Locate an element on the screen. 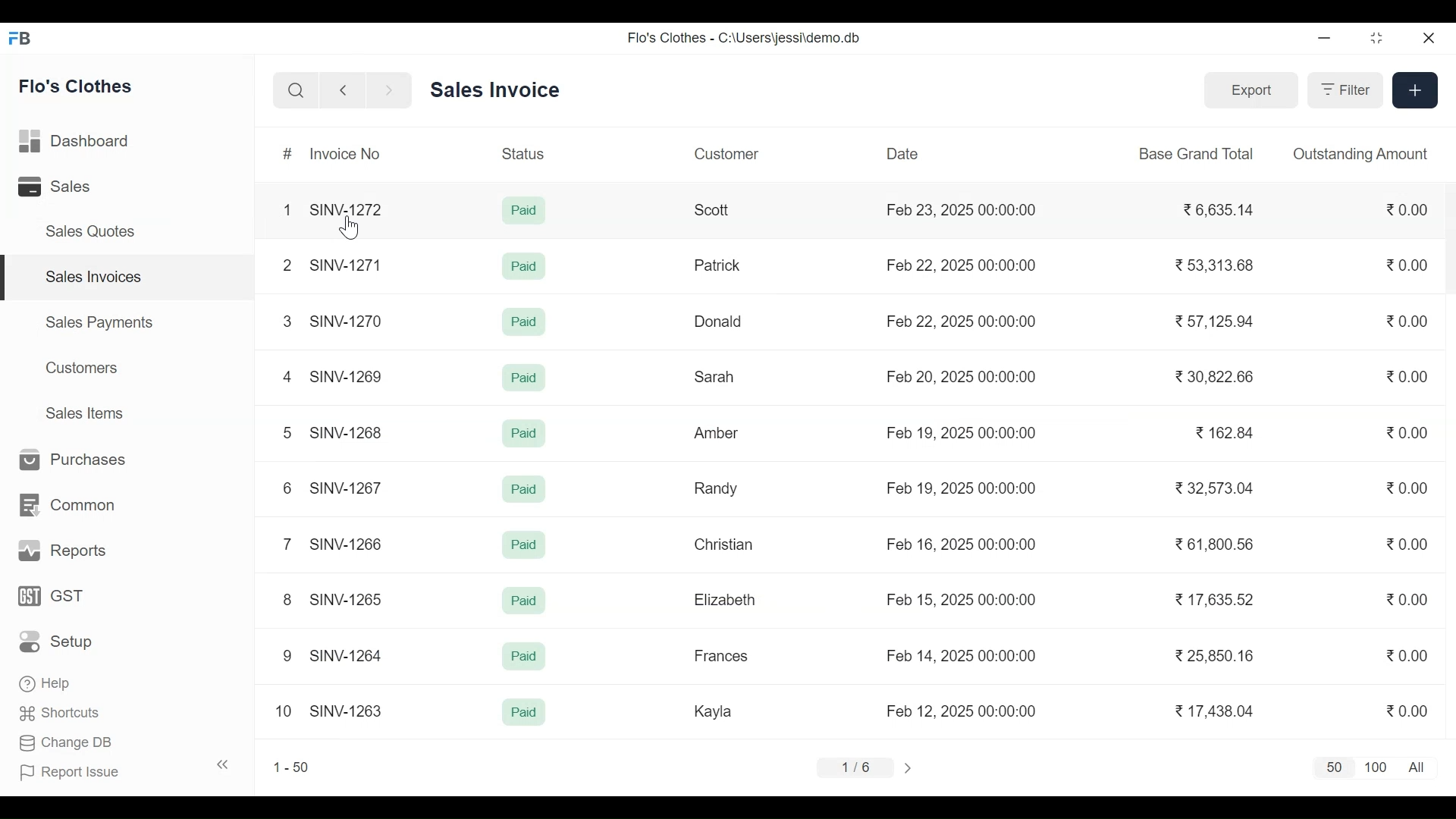  Paid is located at coordinates (526, 490).